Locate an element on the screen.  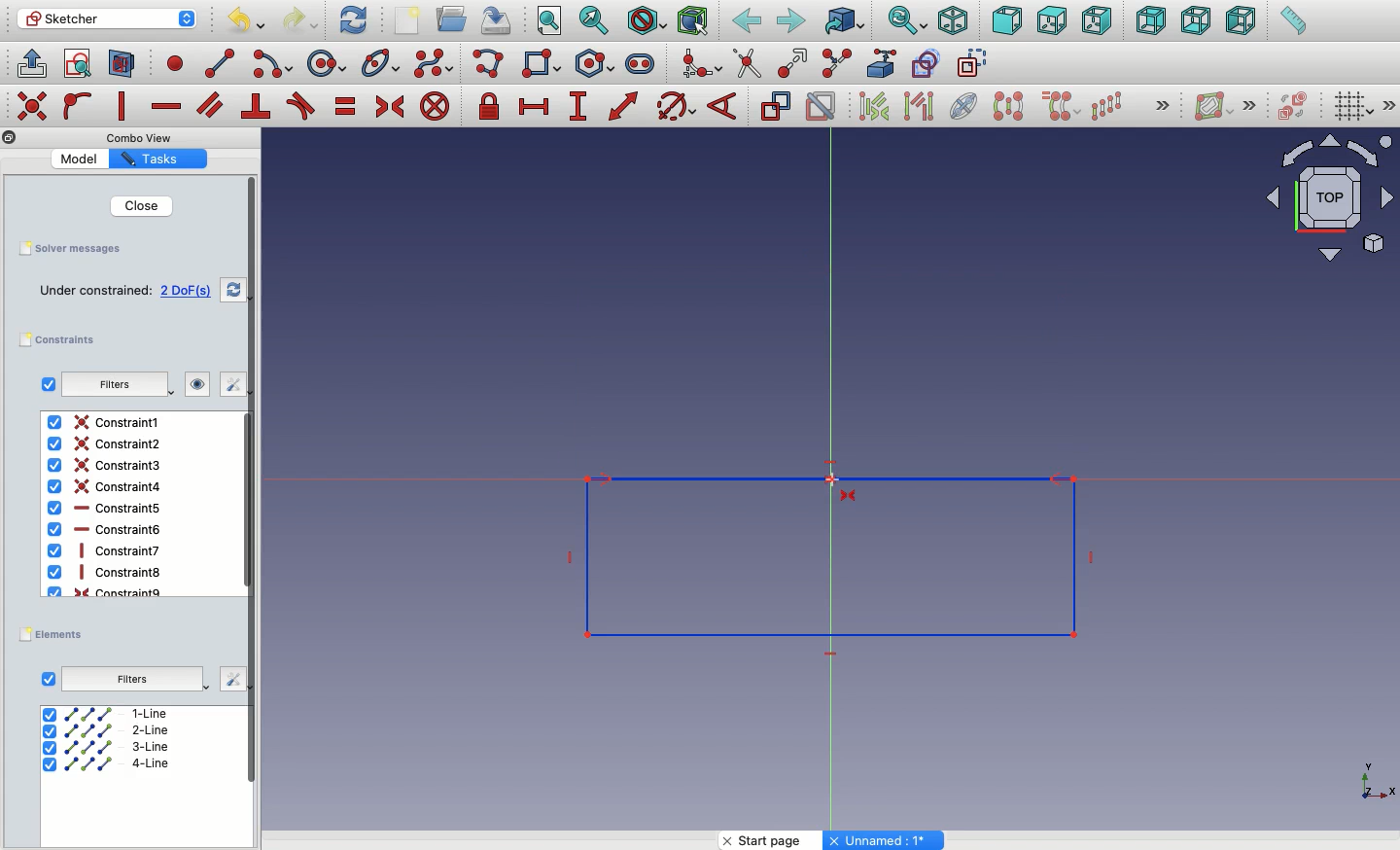
Constraint6 is located at coordinates (105, 529).